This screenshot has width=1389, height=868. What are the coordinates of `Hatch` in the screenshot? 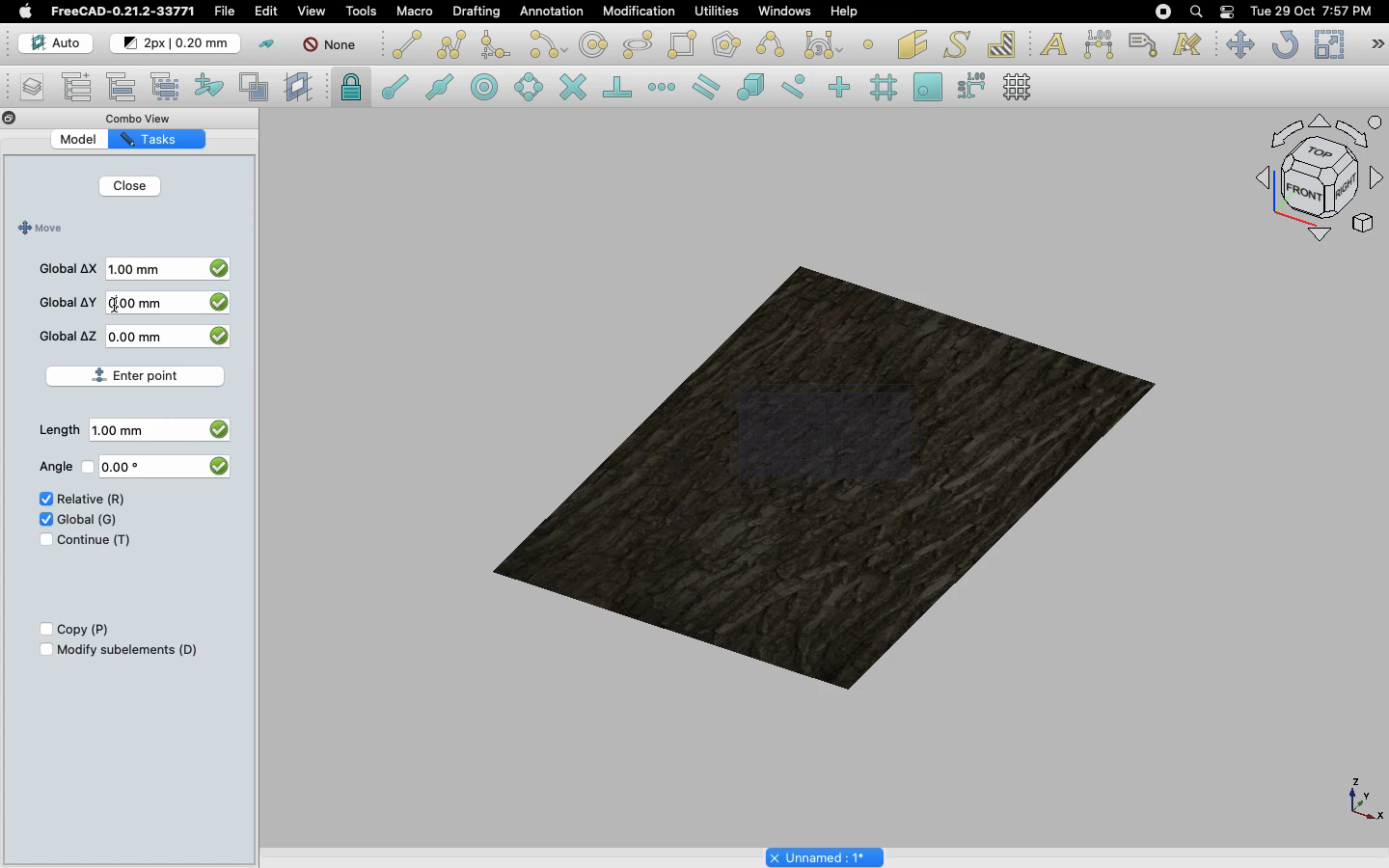 It's located at (1002, 44).